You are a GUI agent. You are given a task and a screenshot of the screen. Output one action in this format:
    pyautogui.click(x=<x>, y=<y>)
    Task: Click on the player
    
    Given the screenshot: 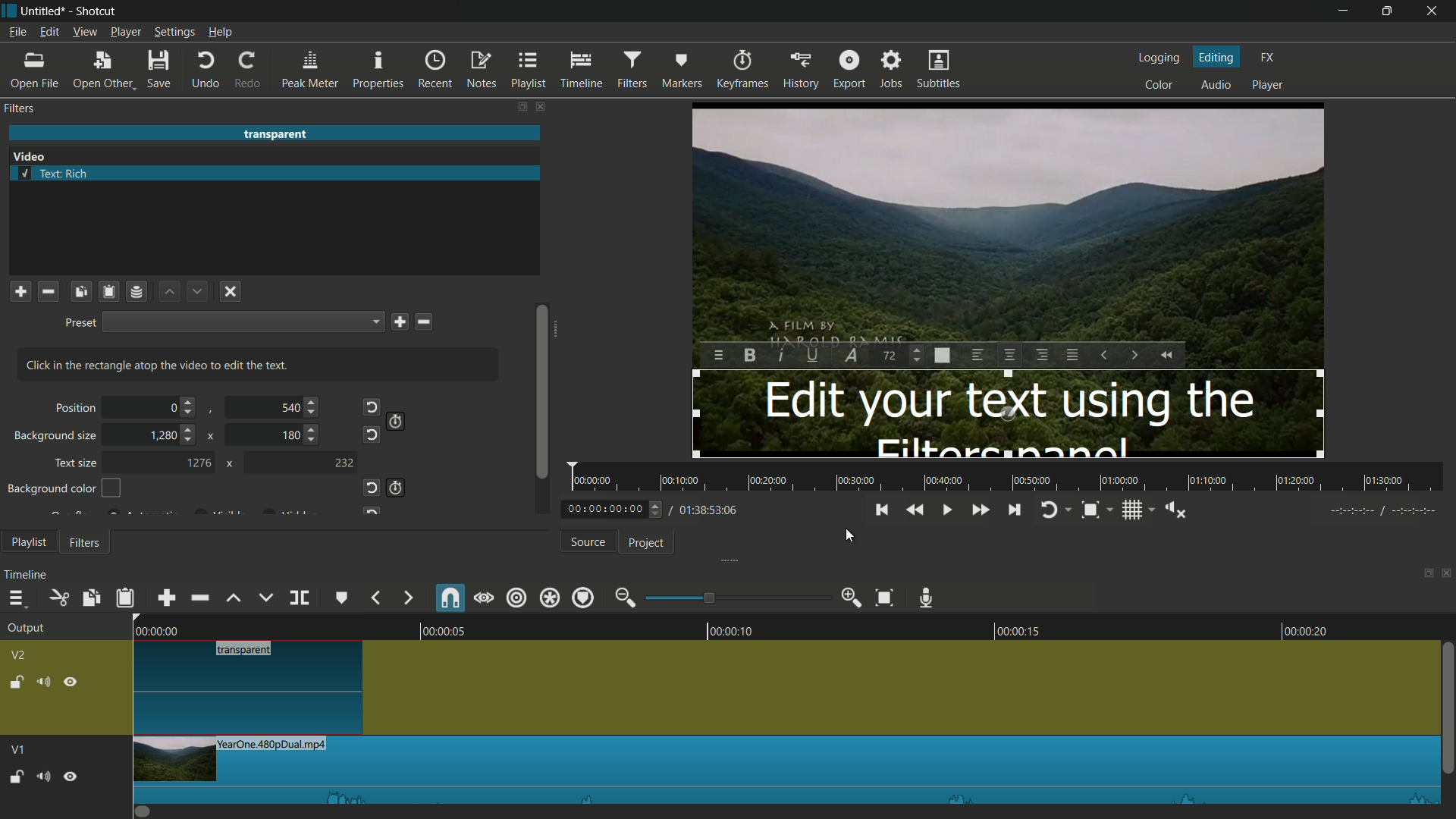 What is the action you would take?
    pyautogui.click(x=1268, y=86)
    